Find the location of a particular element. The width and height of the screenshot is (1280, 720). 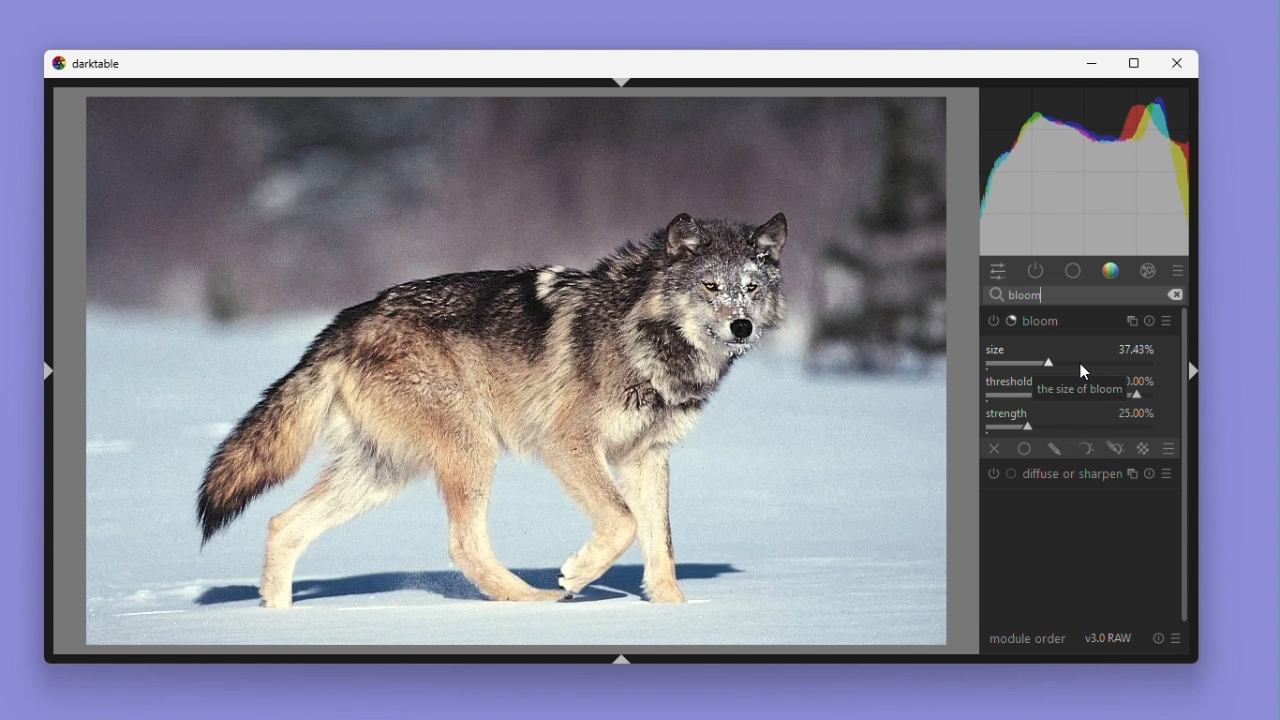

darktable is located at coordinates (100, 64).